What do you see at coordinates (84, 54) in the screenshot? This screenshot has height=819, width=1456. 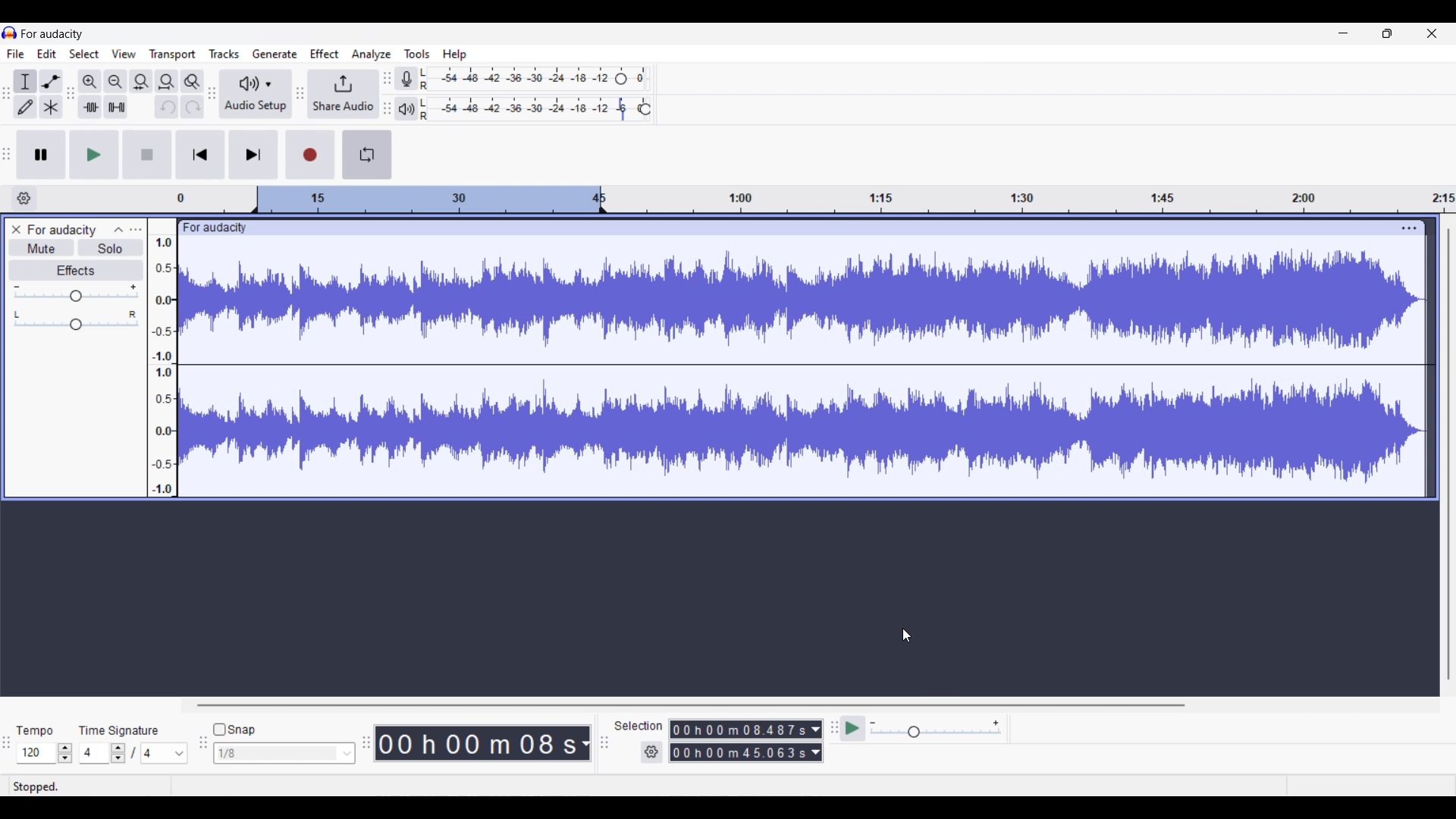 I see `Select menu` at bounding box center [84, 54].